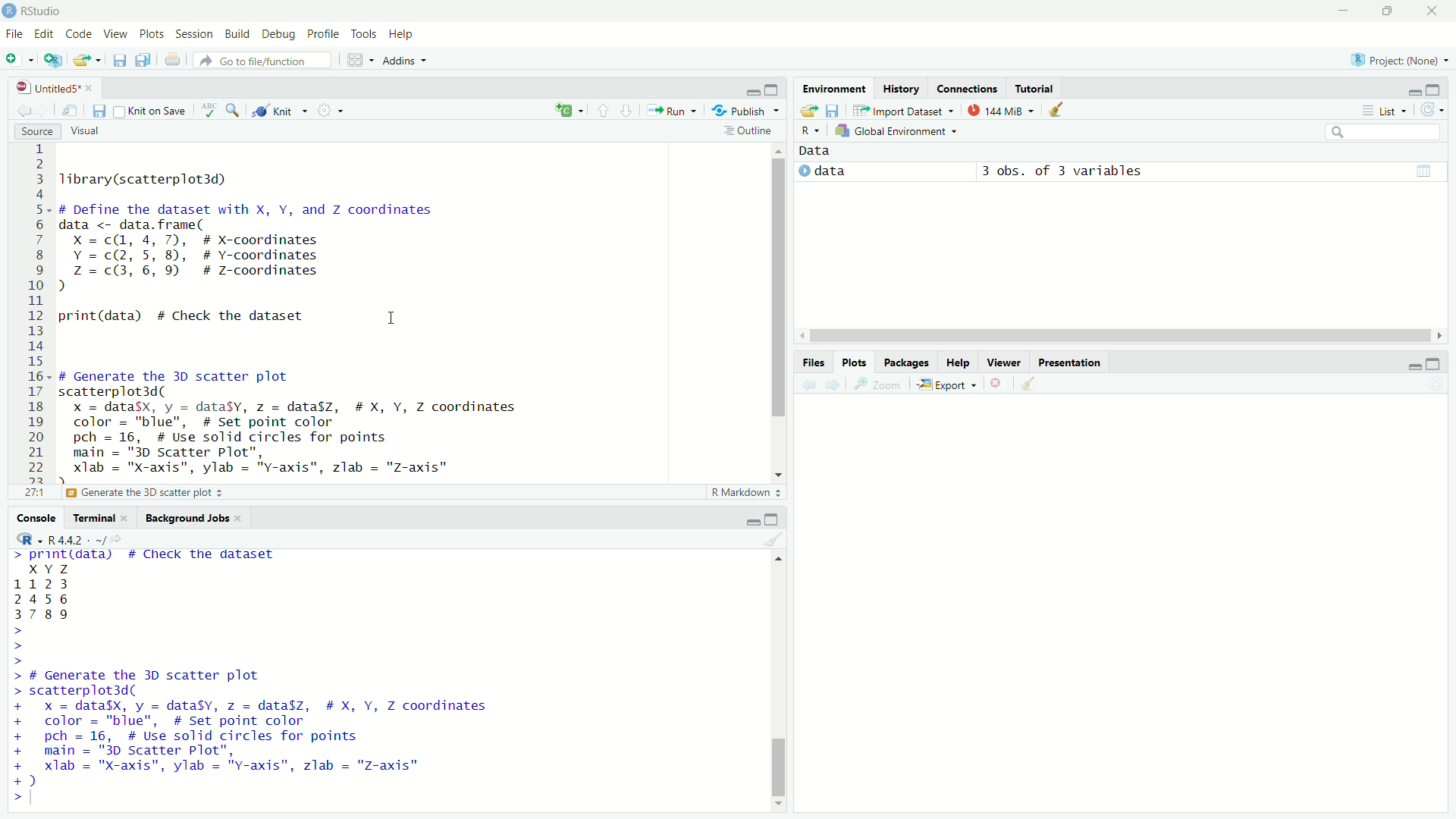 This screenshot has width=1456, height=819. Describe the element at coordinates (141, 60) in the screenshot. I see `Save all open documents` at that location.